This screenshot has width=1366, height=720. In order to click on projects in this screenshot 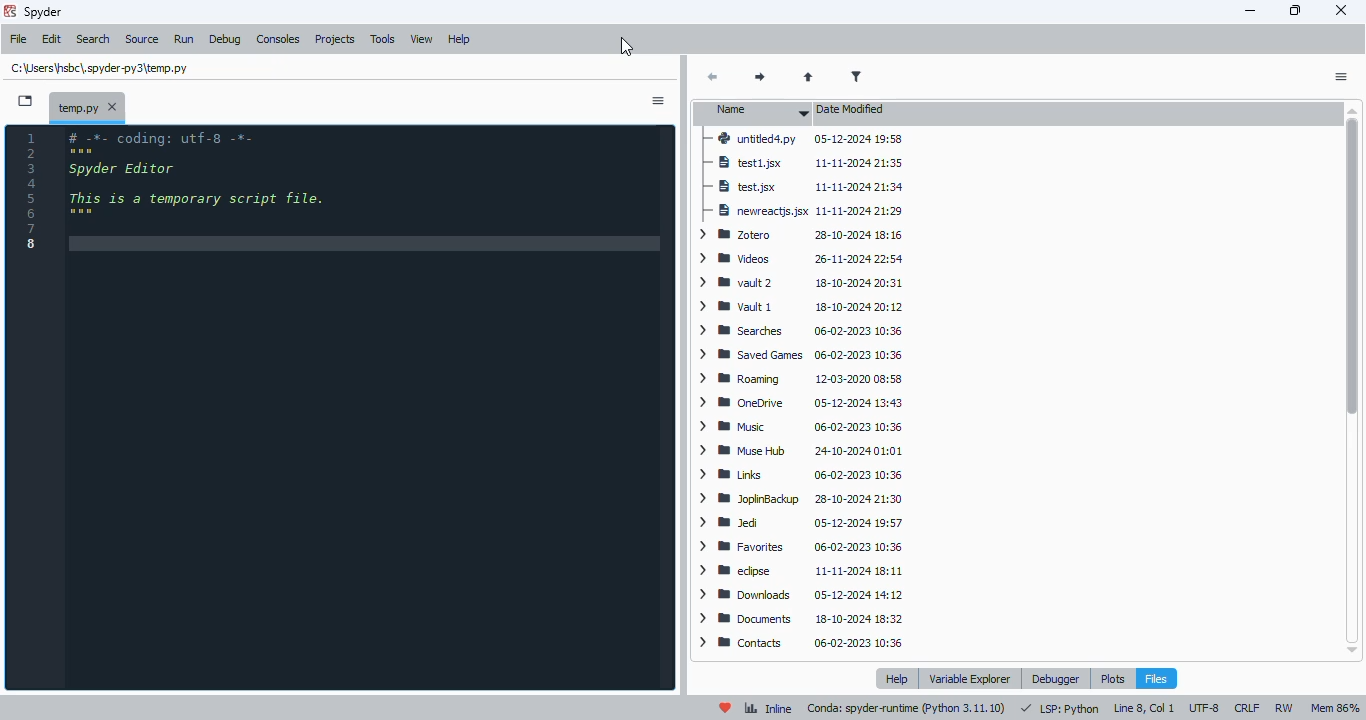, I will do `click(337, 39)`.